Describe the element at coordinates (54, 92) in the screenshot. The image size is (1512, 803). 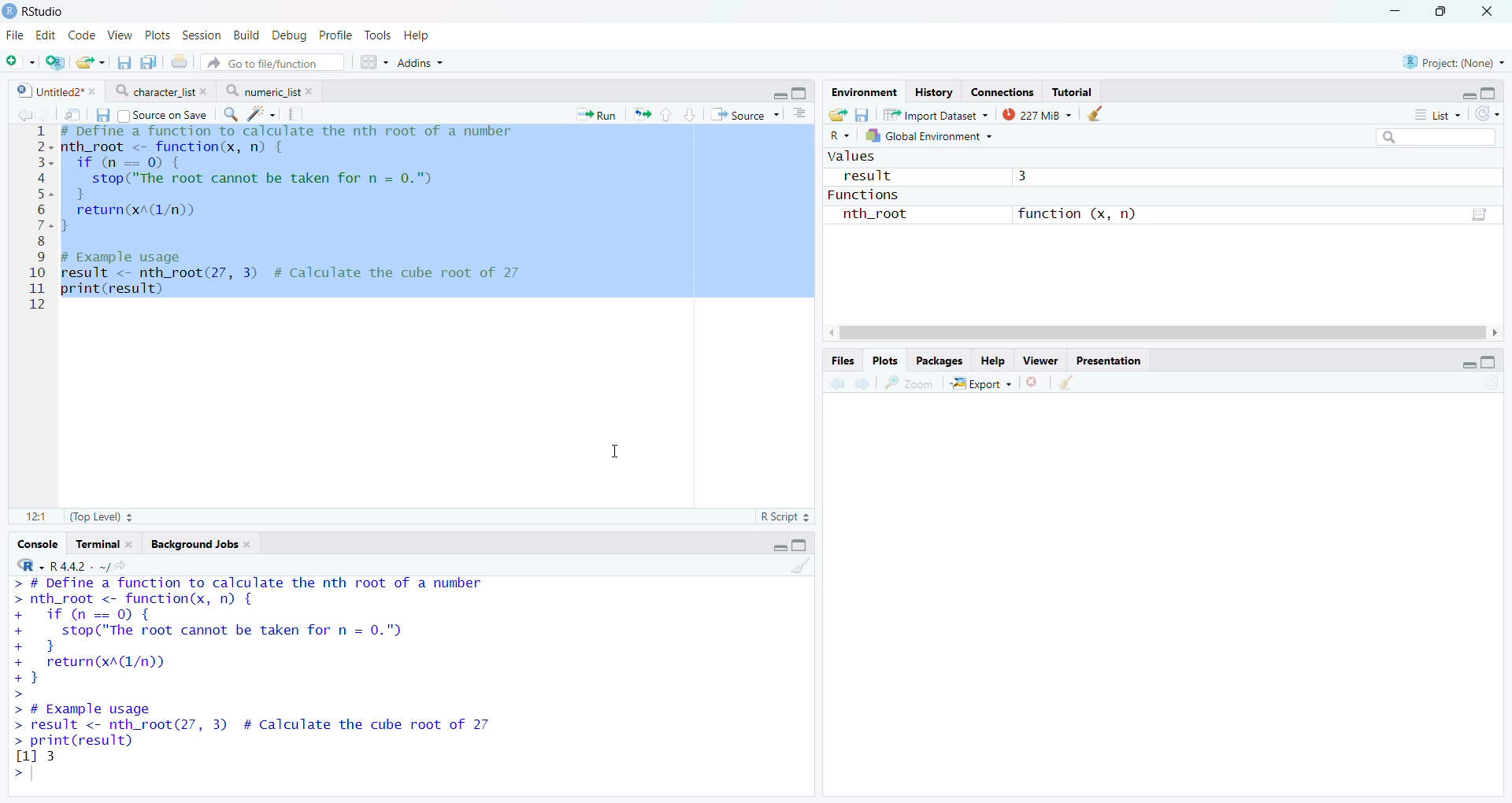
I see `Untitled2*` at that location.